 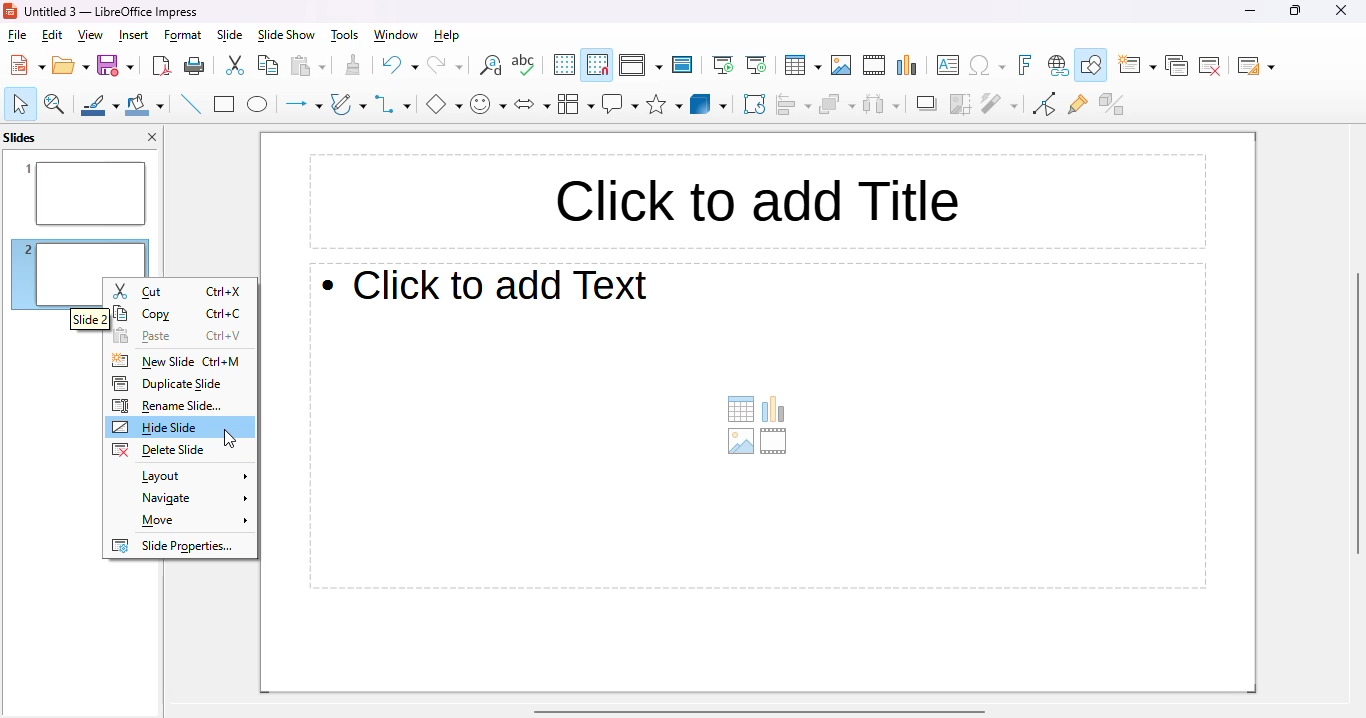 What do you see at coordinates (709, 104) in the screenshot?
I see `3D objects` at bounding box center [709, 104].